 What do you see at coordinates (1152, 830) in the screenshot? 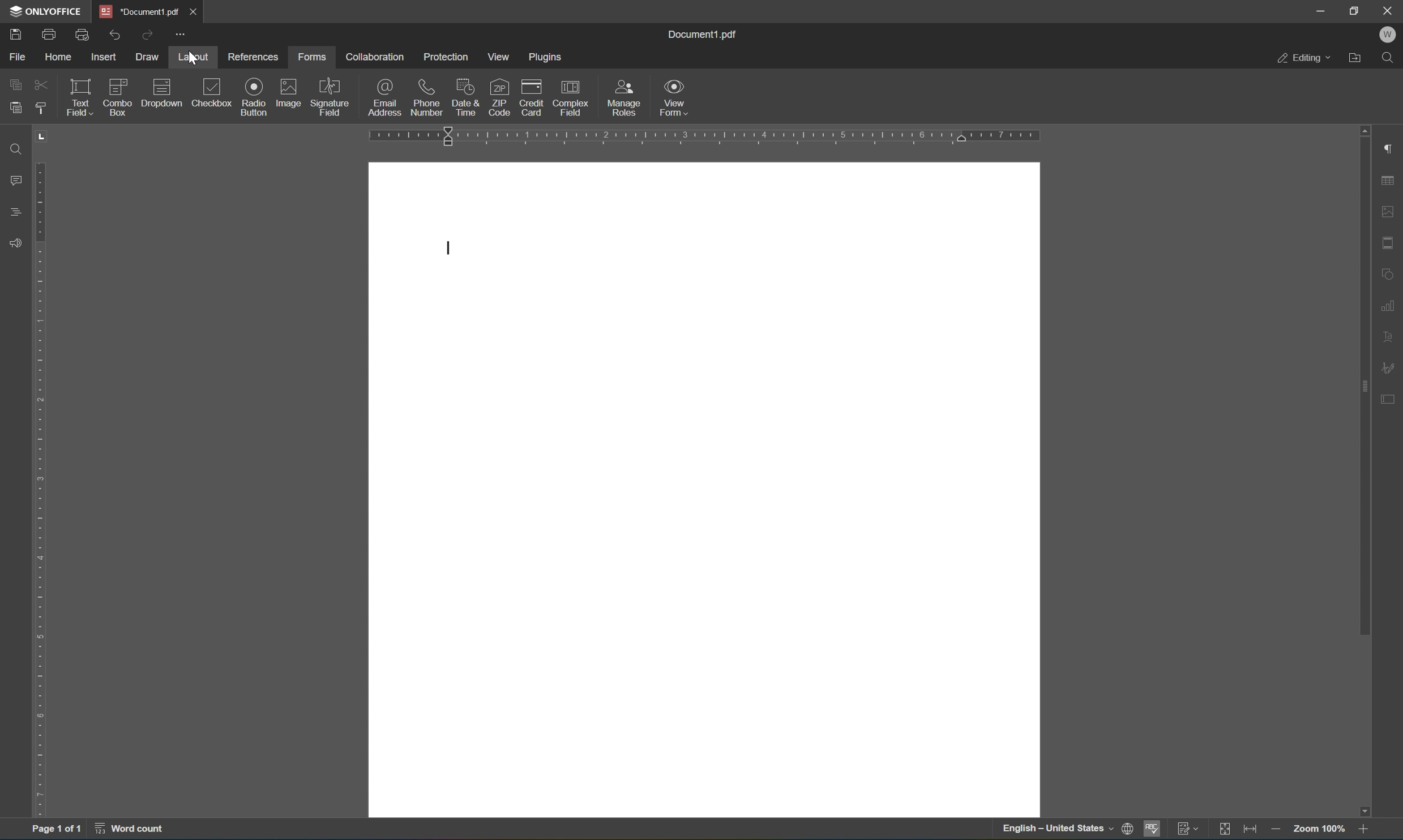
I see `spell checking` at bounding box center [1152, 830].